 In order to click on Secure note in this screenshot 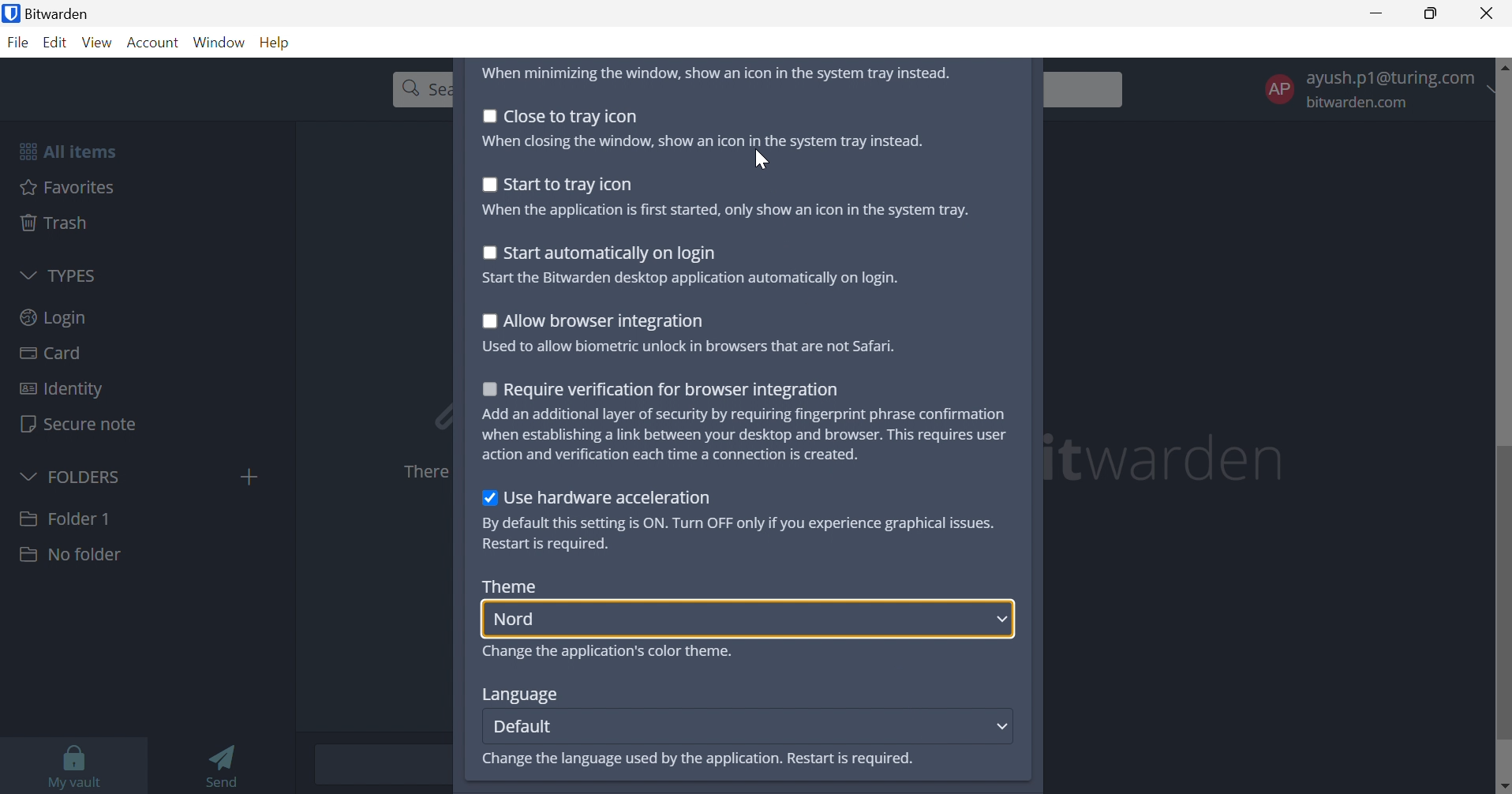, I will do `click(80, 425)`.